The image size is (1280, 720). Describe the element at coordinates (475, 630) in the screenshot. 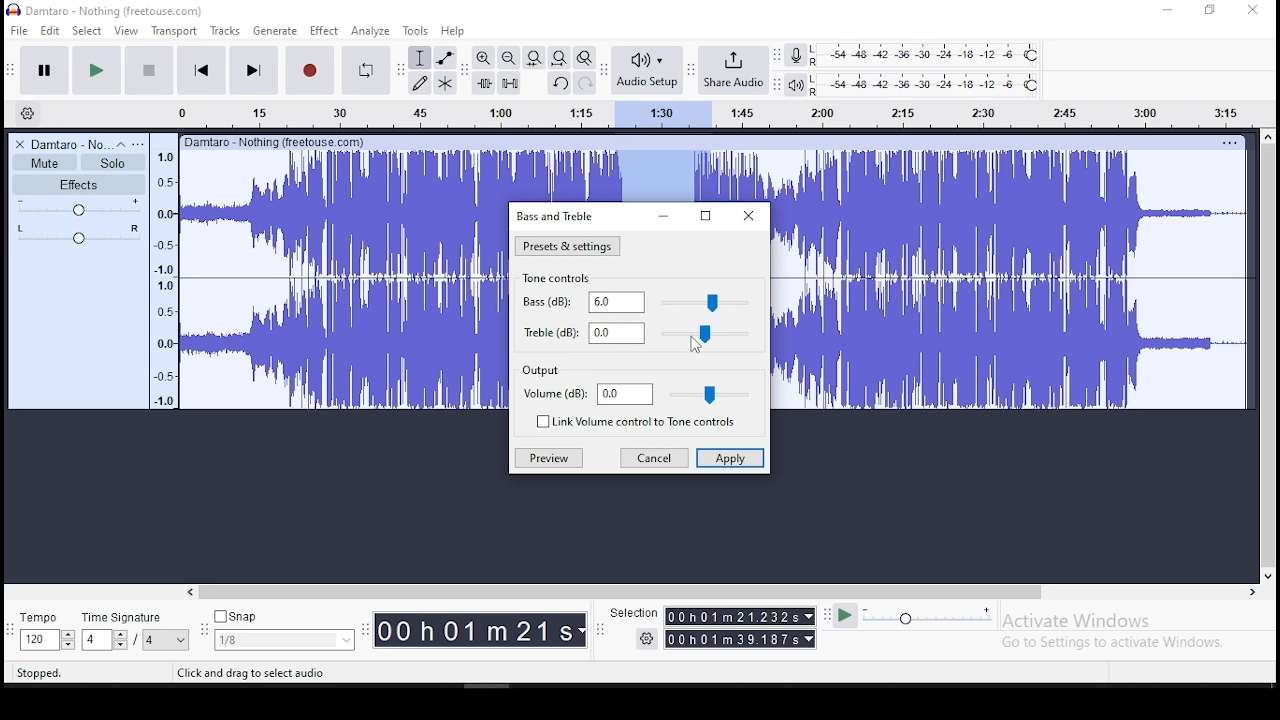

I see `0O0hO01m21s` at that location.